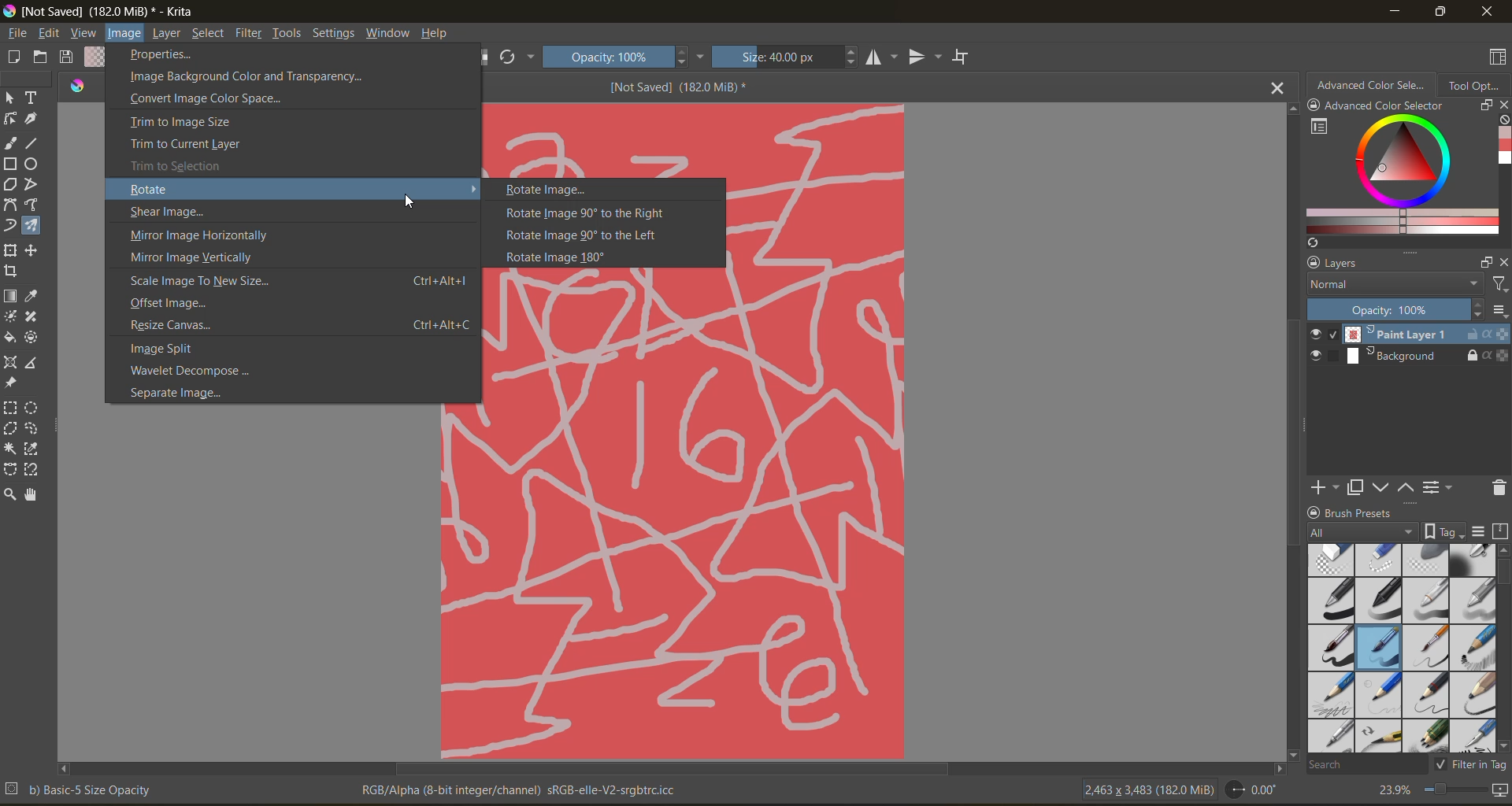 The image size is (1512, 806). Describe the element at coordinates (1350, 263) in the screenshot. I see `Layers` at that location.